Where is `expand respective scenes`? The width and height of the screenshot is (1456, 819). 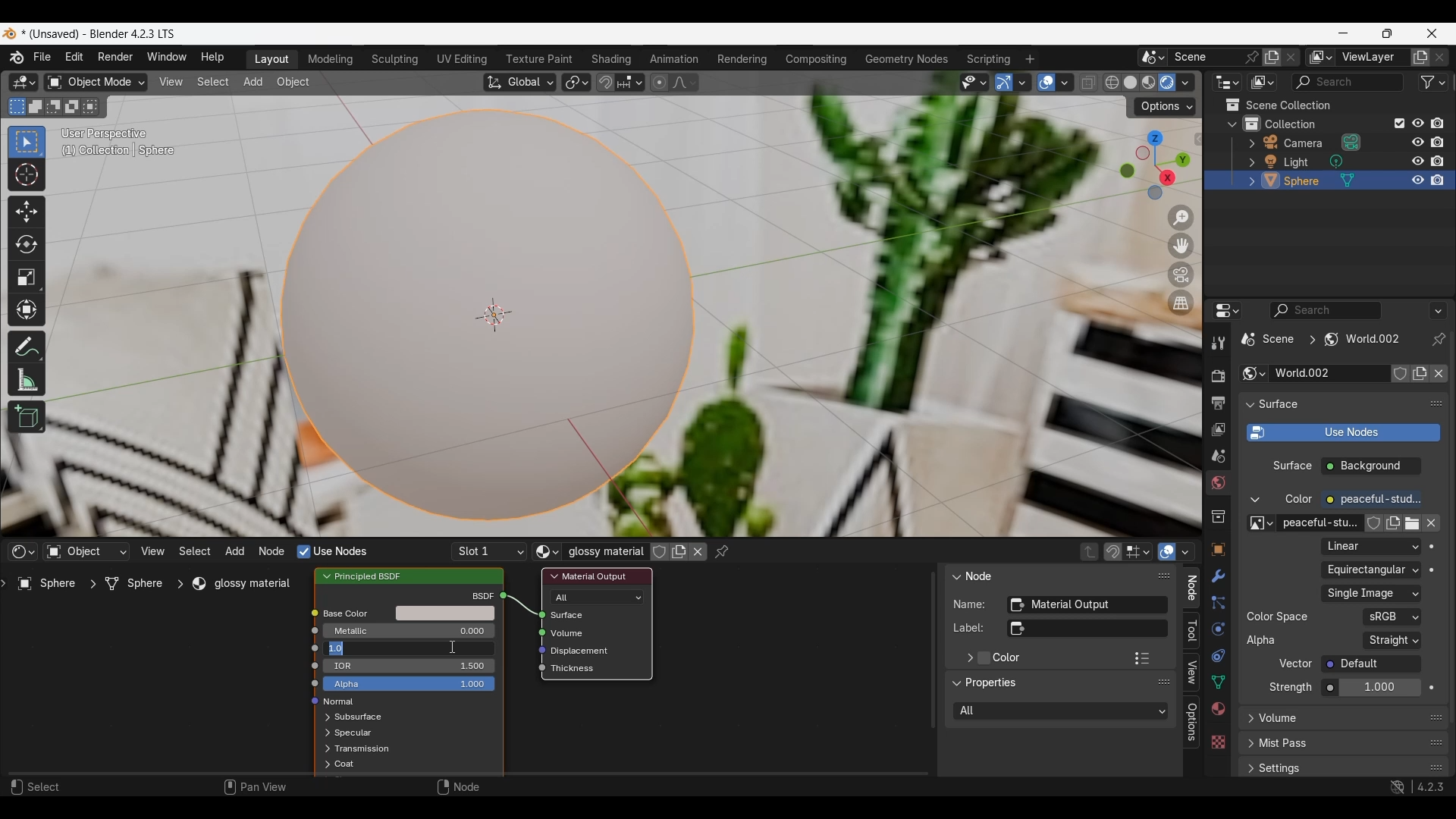
expand respective scenes is located at coordinates (1246, 745).